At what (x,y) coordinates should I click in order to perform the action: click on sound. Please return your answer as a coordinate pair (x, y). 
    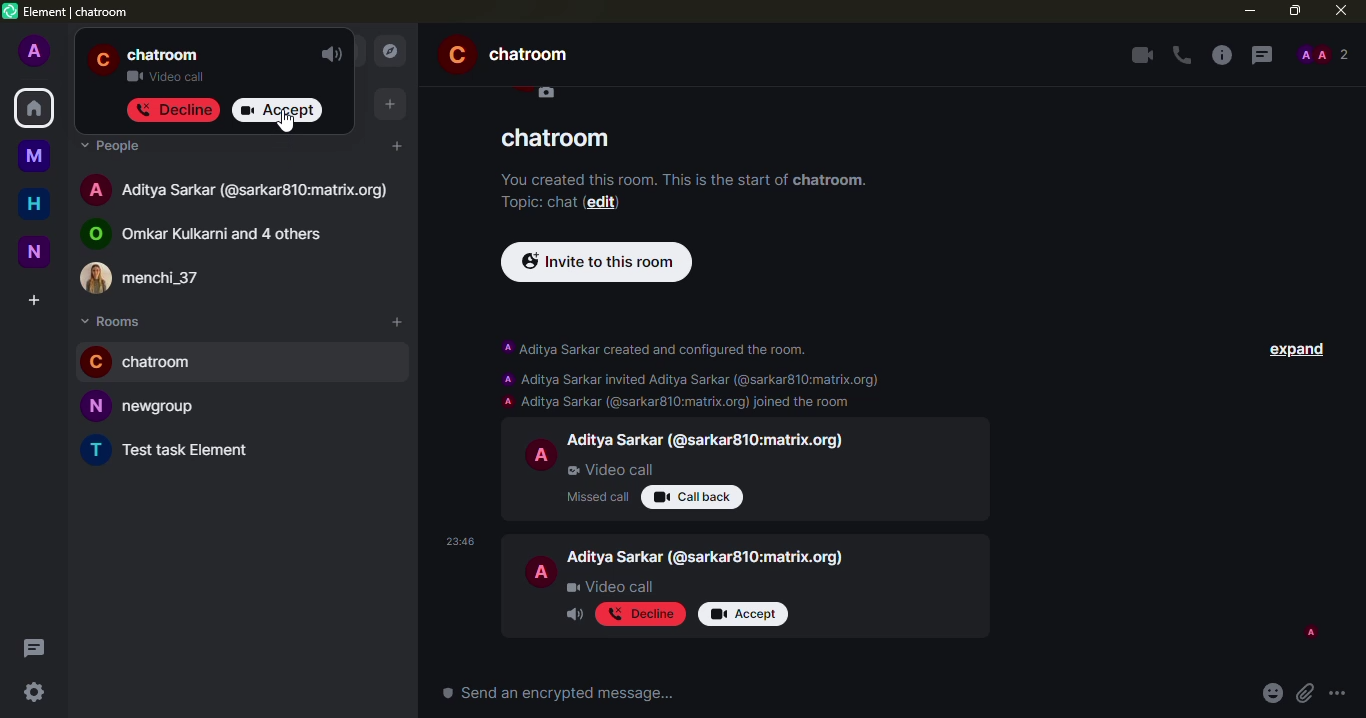
    Looking at the image, I should click on (332, 55).